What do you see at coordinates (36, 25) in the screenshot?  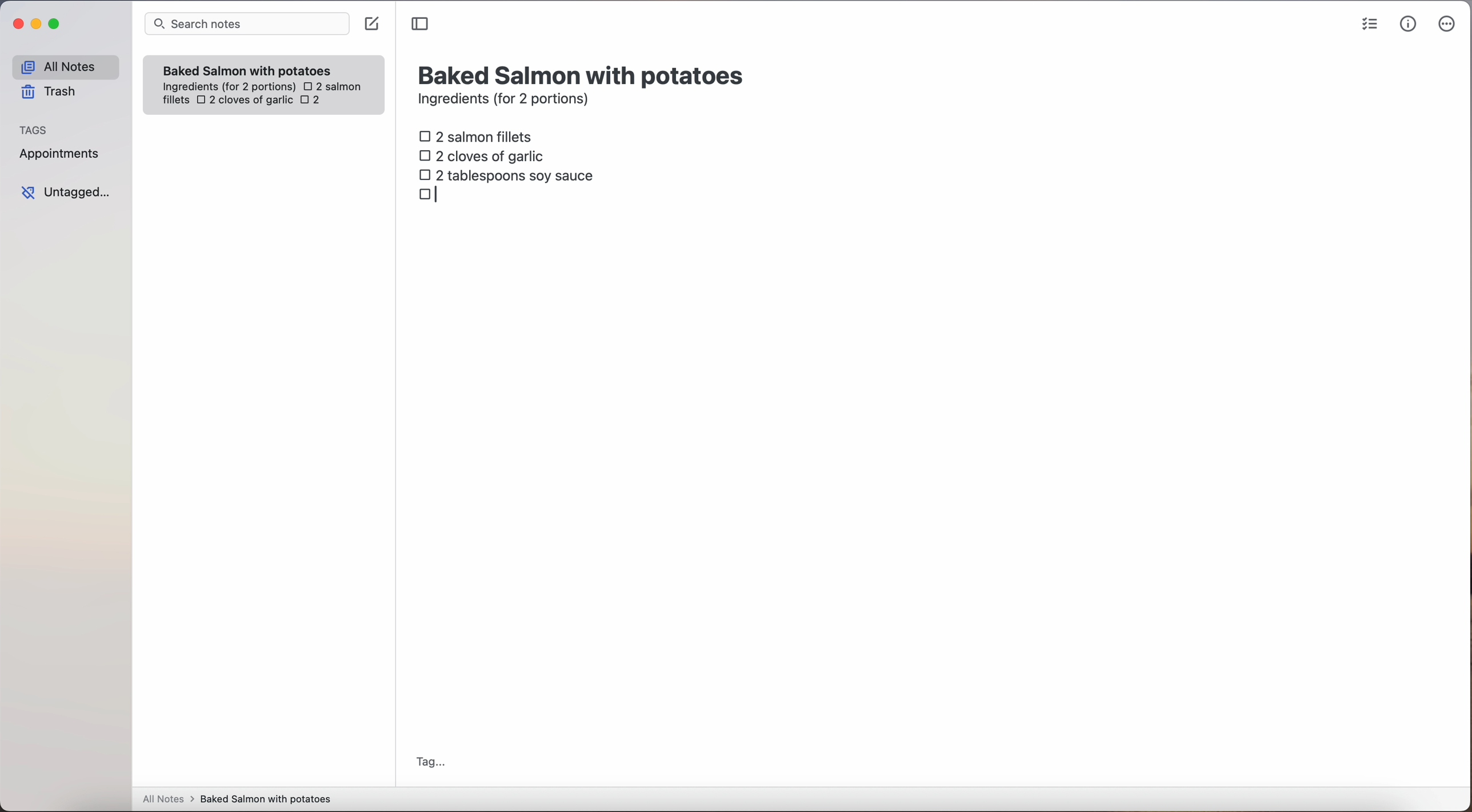 I see `minimize Simplenote` at bounding box center [36, 25].